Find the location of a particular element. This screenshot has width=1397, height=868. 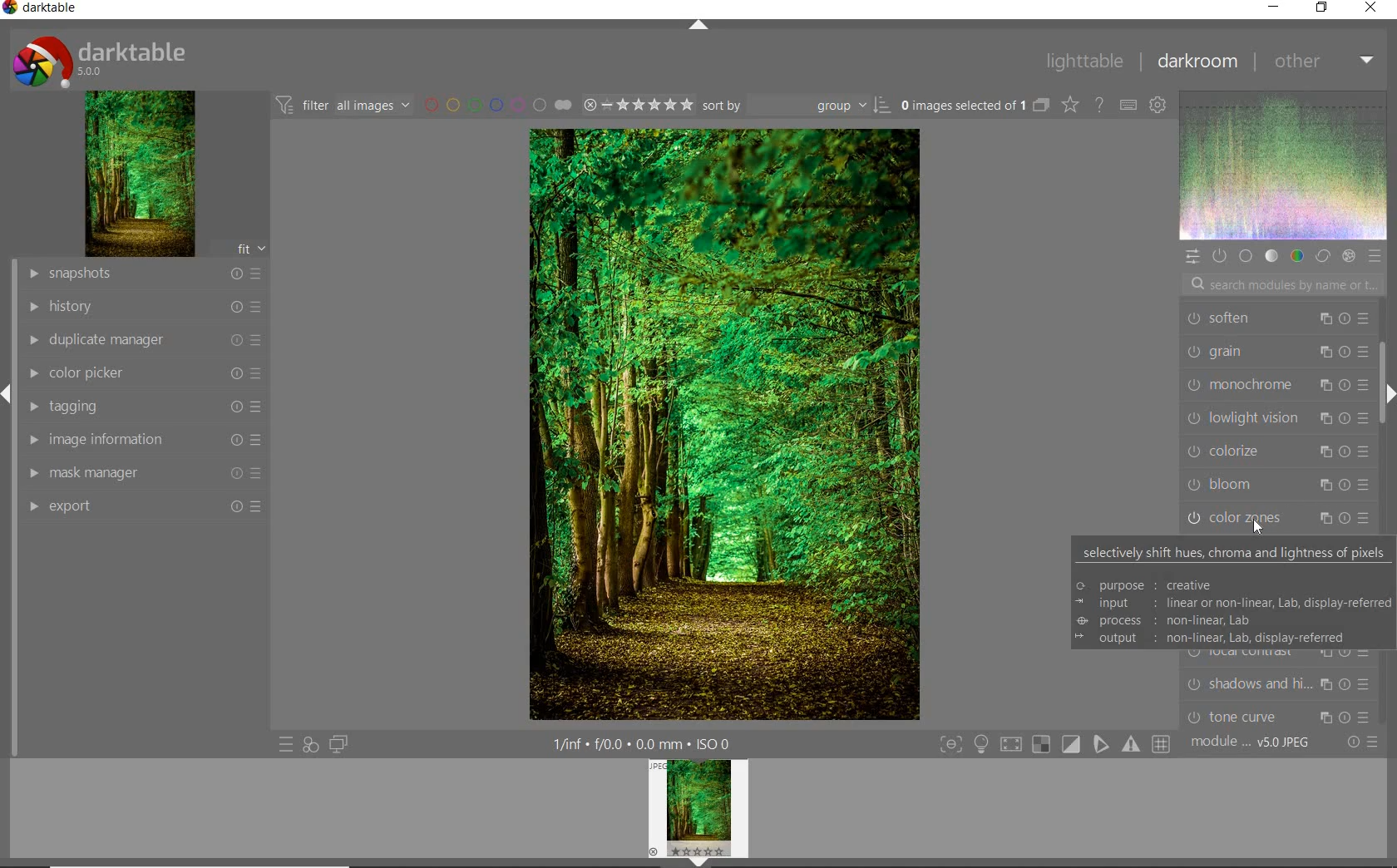

IMAGE is located at coordinates (137, 173).